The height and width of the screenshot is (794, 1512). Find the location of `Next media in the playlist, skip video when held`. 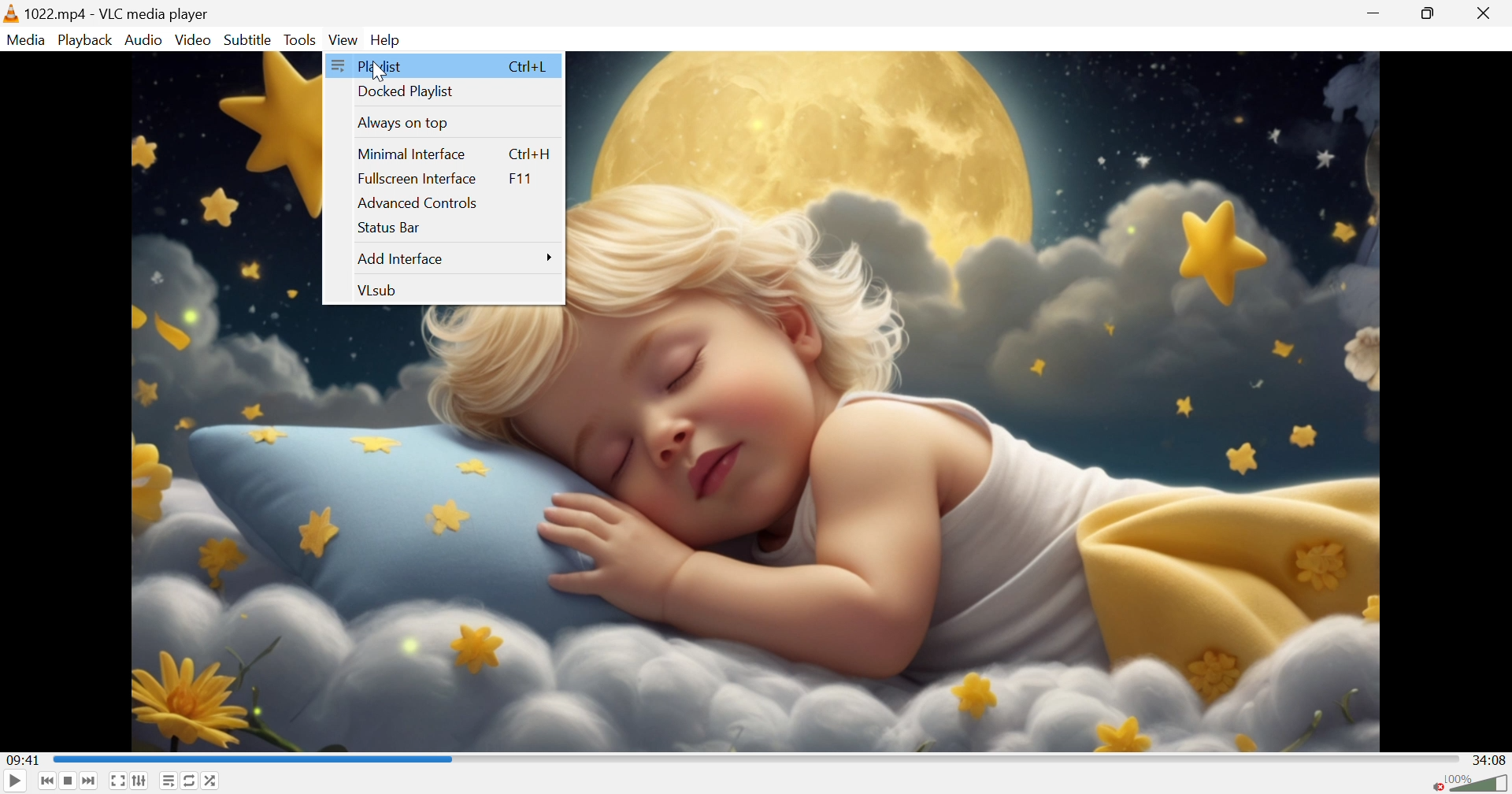

Next media in the playlist, skip video when held is located at coordinates (90, 781).